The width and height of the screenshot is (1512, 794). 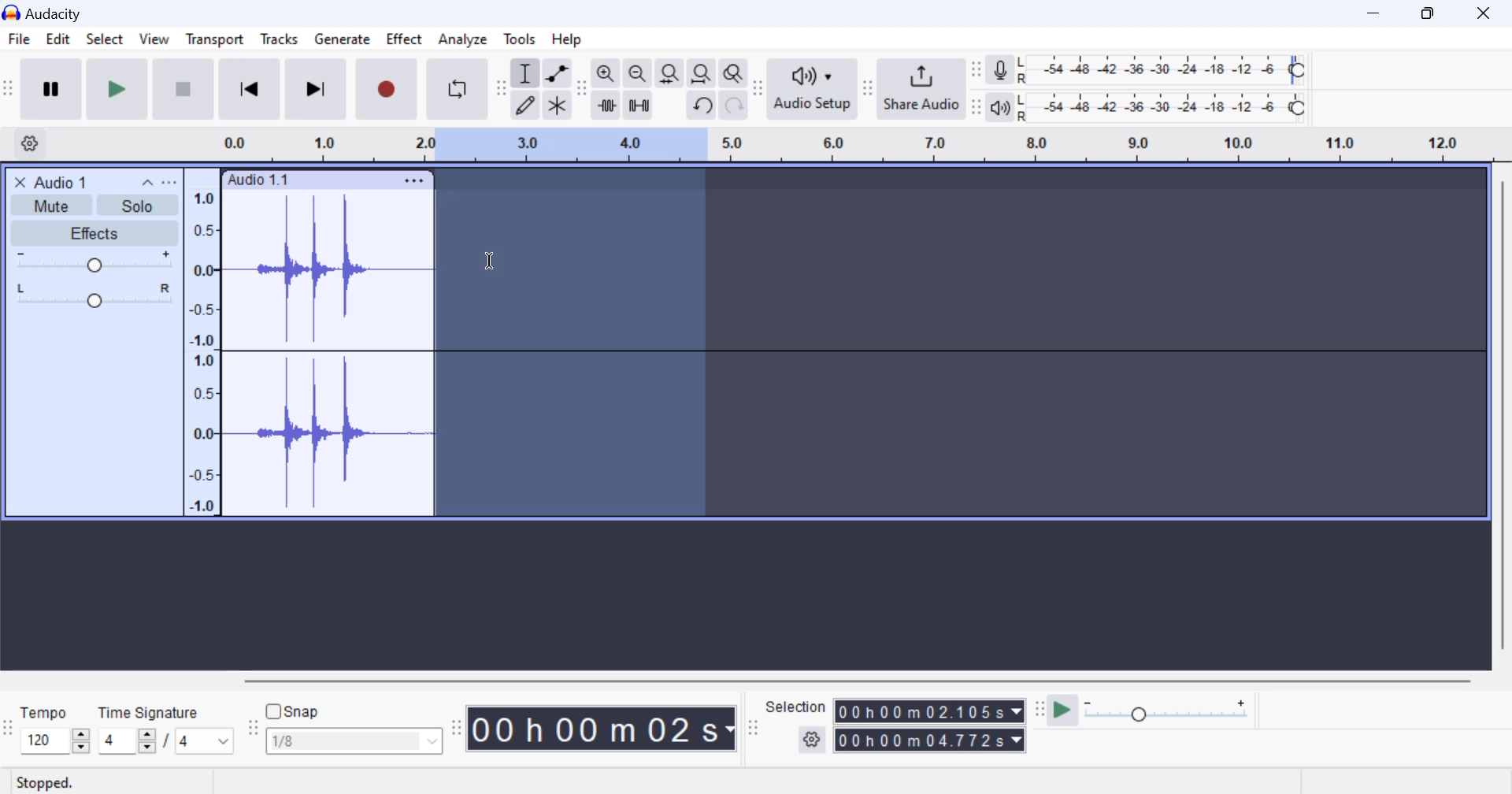 What do you see at coordinates (414, 180) in the screenshot?
I see `Clip Settings` at bounding box center [414, 180].